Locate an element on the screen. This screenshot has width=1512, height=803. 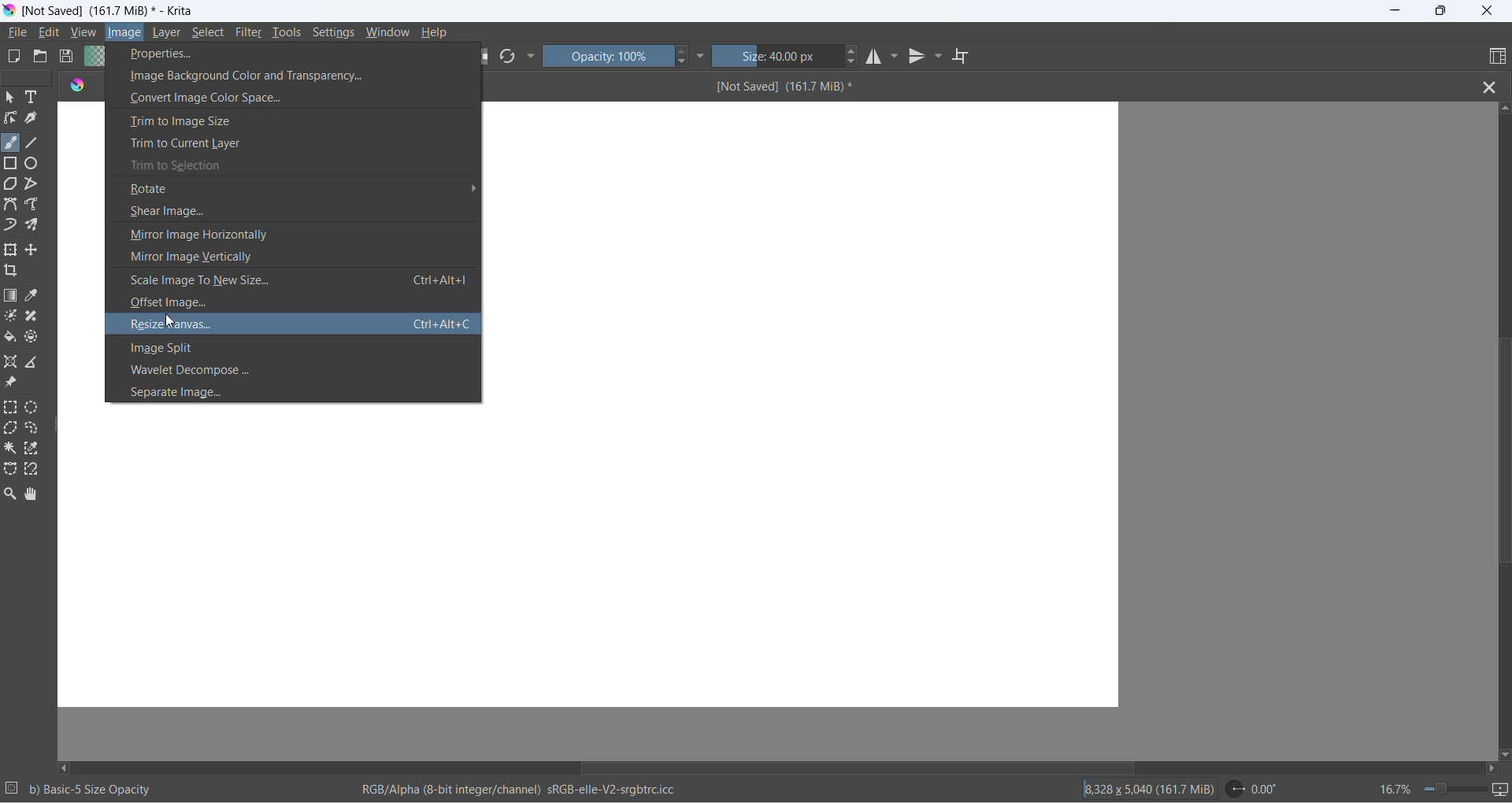
layer is located at coordinates (169, 33).